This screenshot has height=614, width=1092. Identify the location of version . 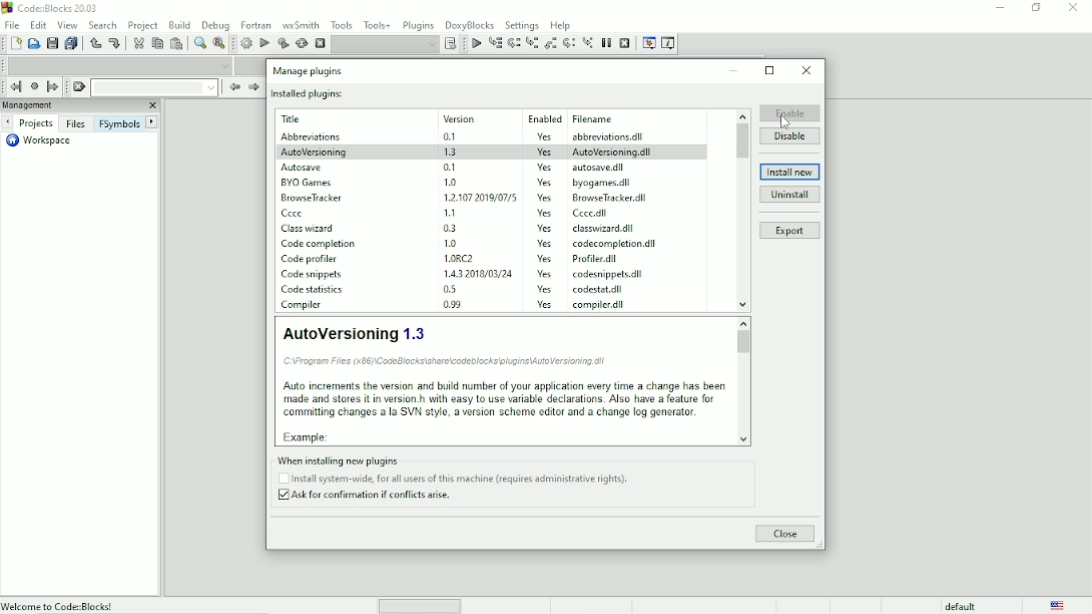
(453, 306).